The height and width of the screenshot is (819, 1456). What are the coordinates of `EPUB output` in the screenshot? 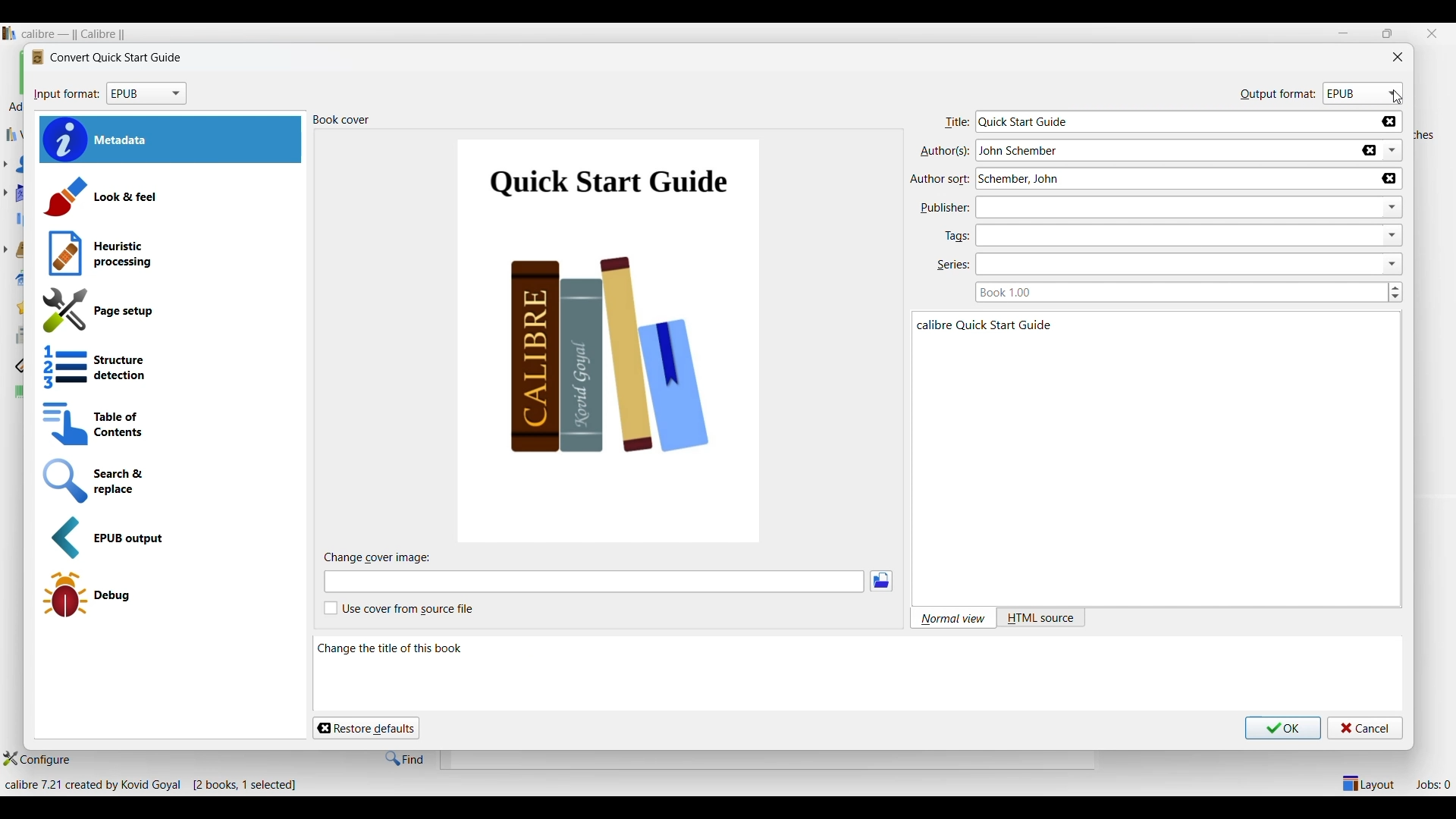 It's located at (169, 538).